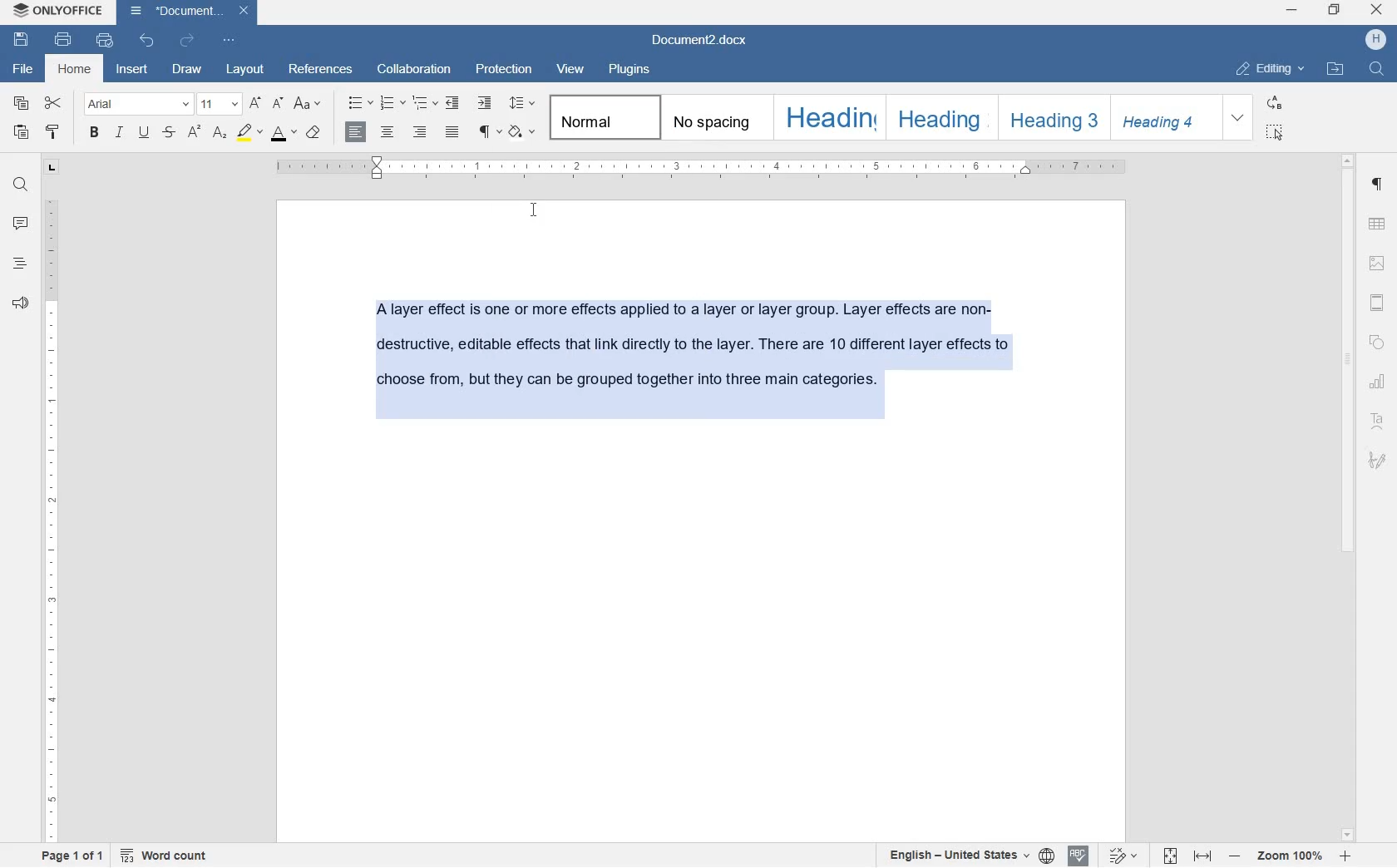 This screenshot has height=868, width=1397. Describe the element at coordinates (522, 104) in the screenshot. I see `paragraph line spacing` at that location.